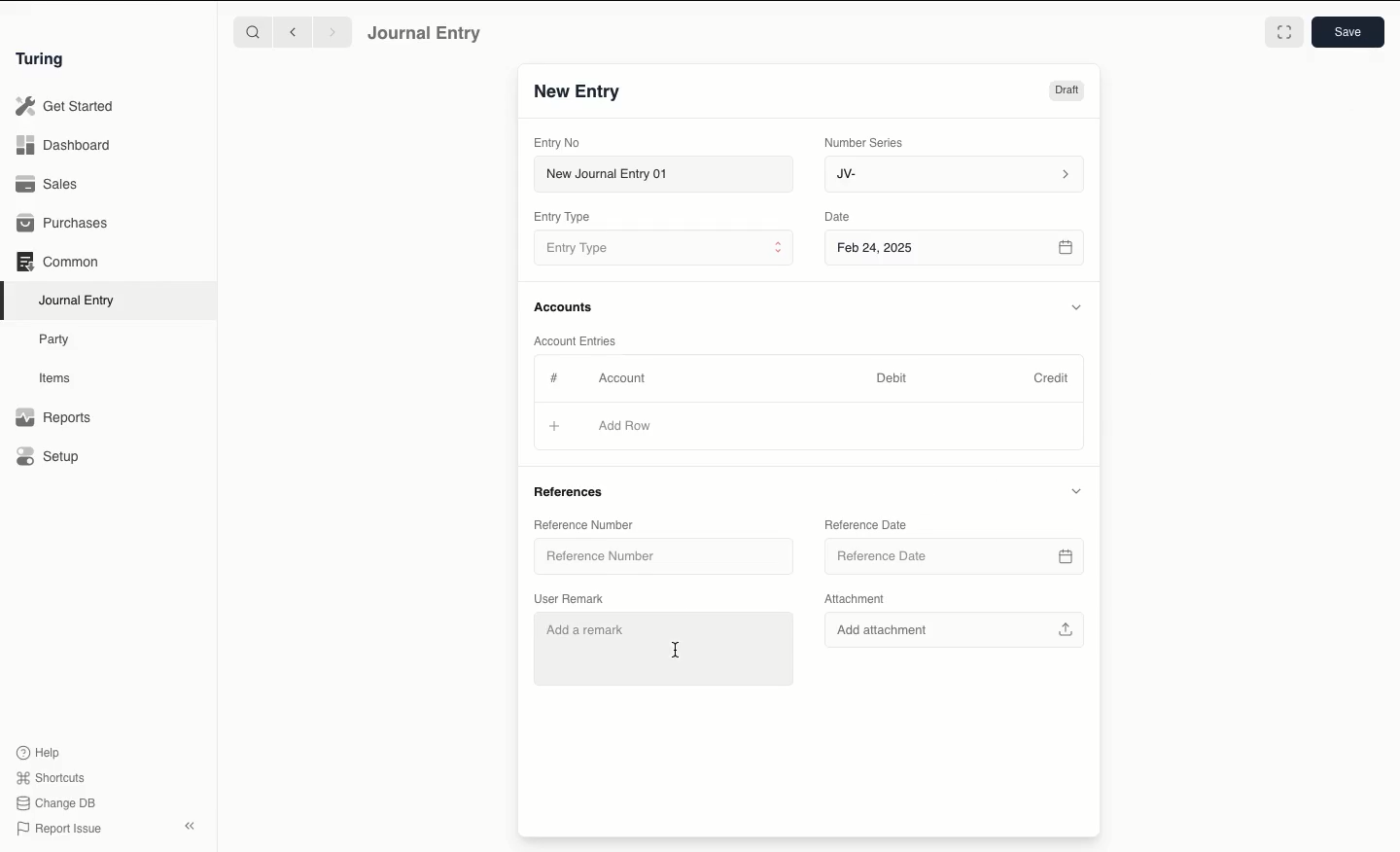 Image resolution: width=1400 pixels, height=852 pixels. I want to click on Toggle between form and full width, so click(1284, 32).